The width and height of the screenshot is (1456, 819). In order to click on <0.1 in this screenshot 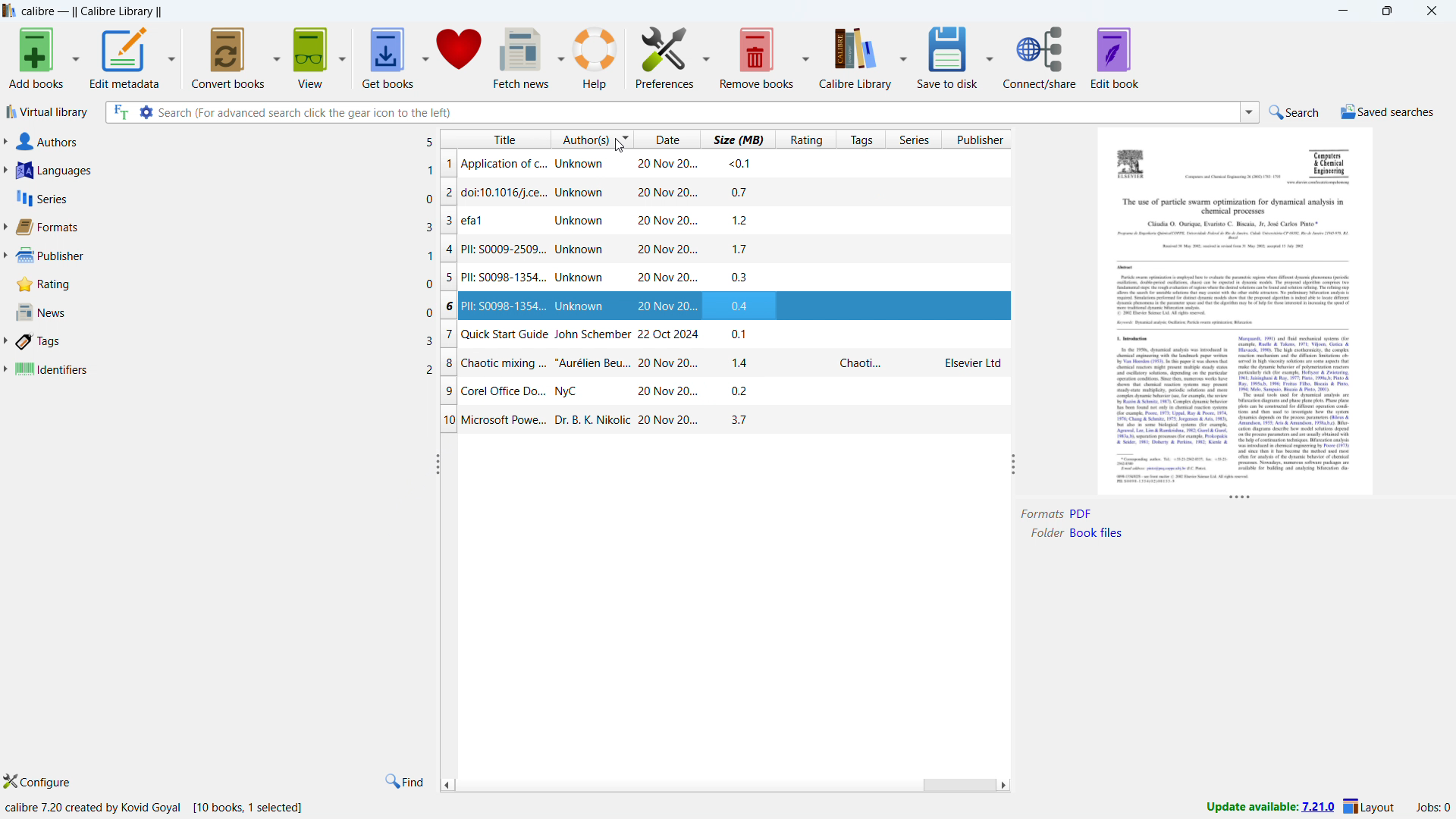, I will do `click(739, 162)`.